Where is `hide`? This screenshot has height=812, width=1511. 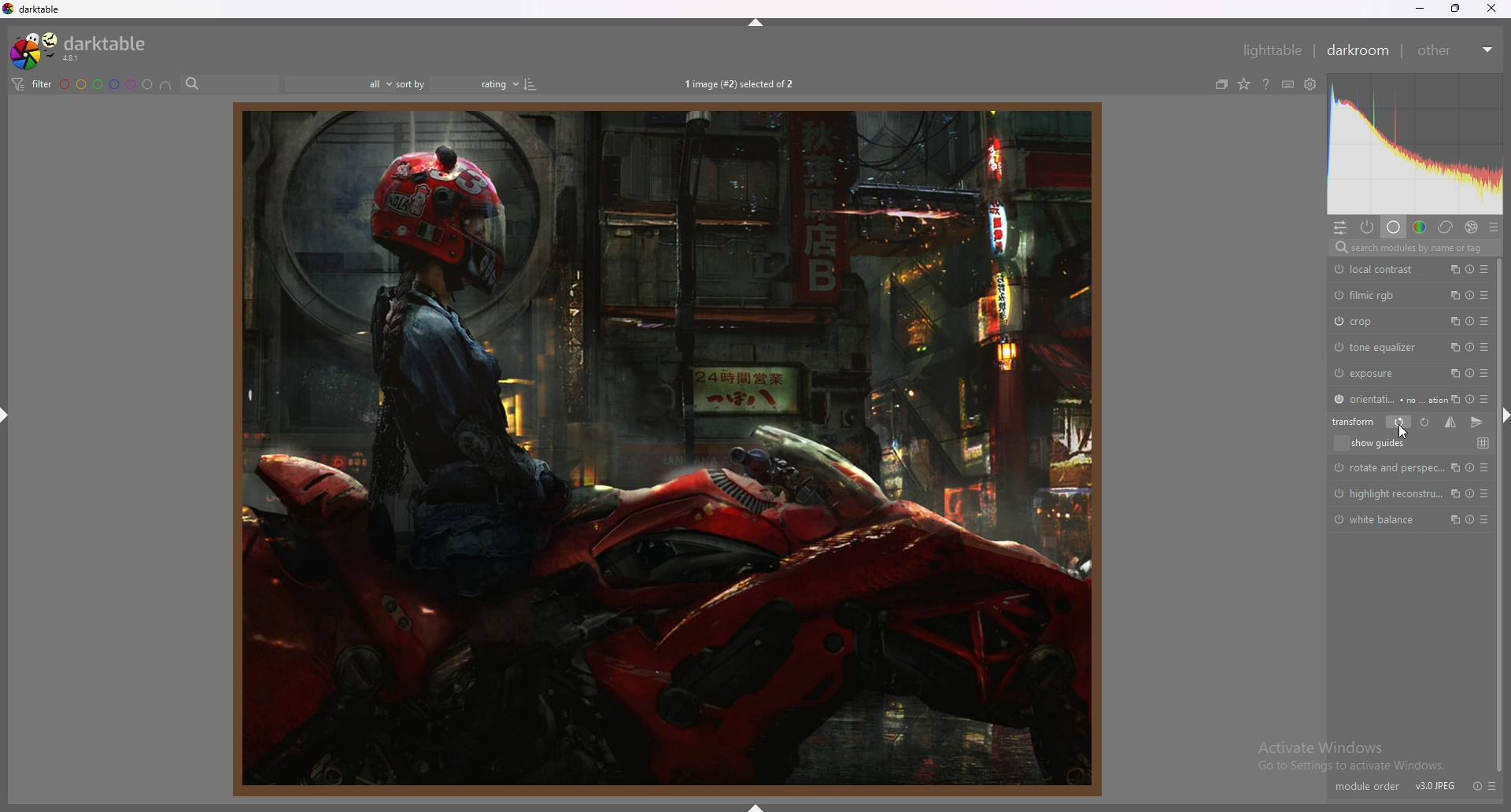 hide is located at coordinates (755, 20).